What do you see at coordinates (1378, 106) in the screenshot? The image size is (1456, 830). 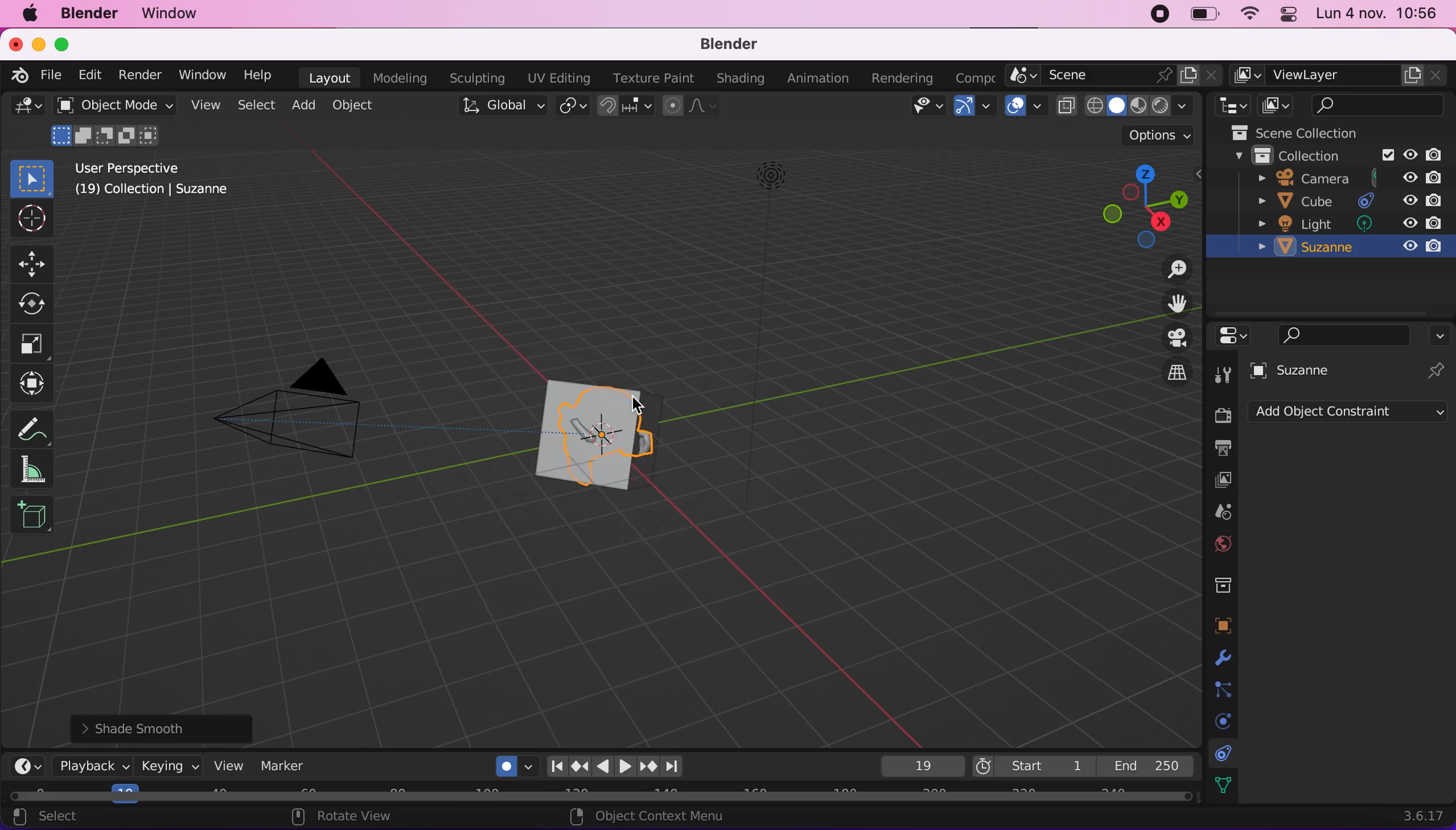 I see `search` at bounding box center [1378, 106].